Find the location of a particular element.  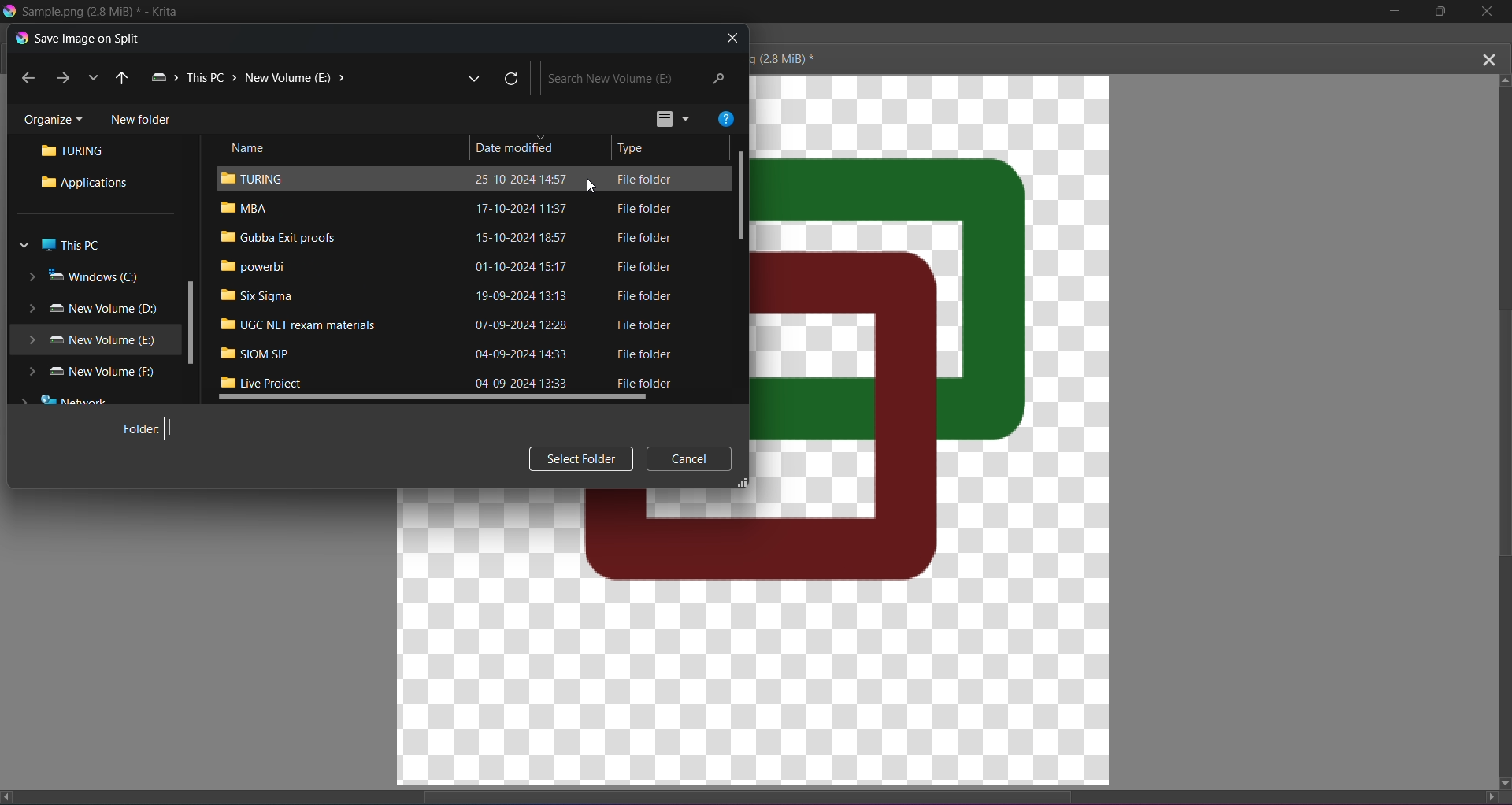

Close is located at coordinates (1488, 13).